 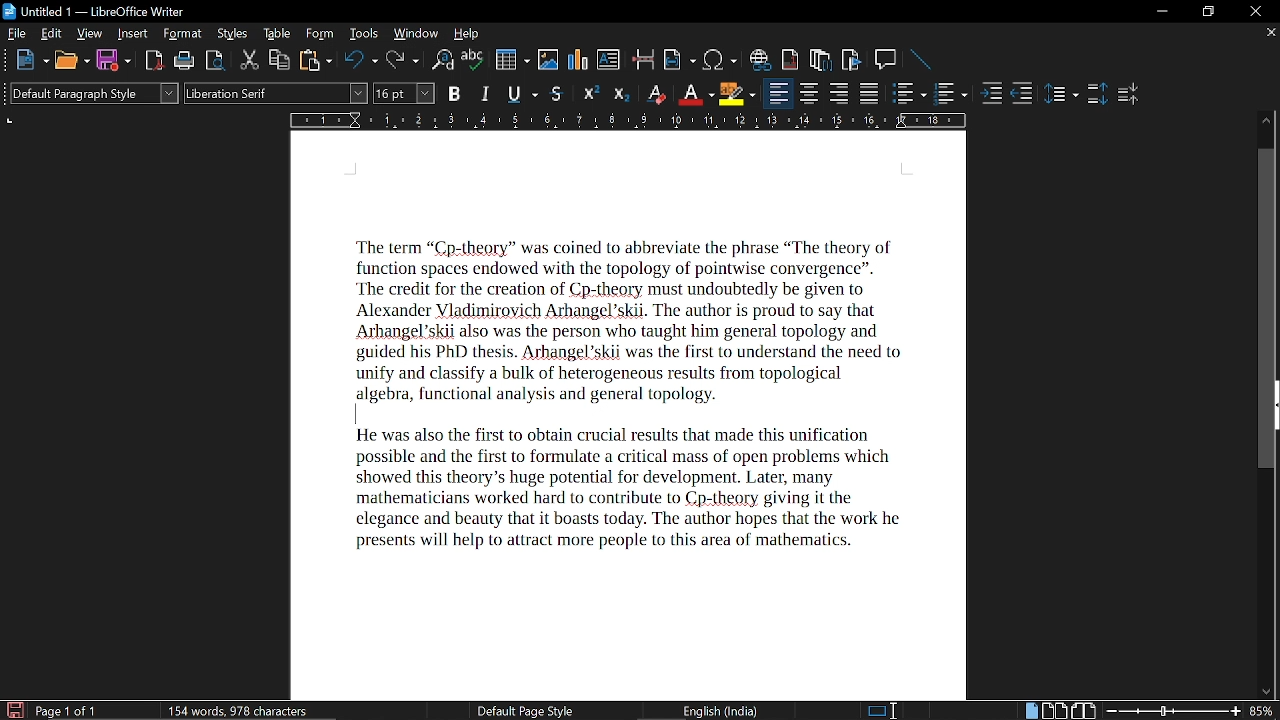 I want to click on Text size, so click(x=403, y=92).